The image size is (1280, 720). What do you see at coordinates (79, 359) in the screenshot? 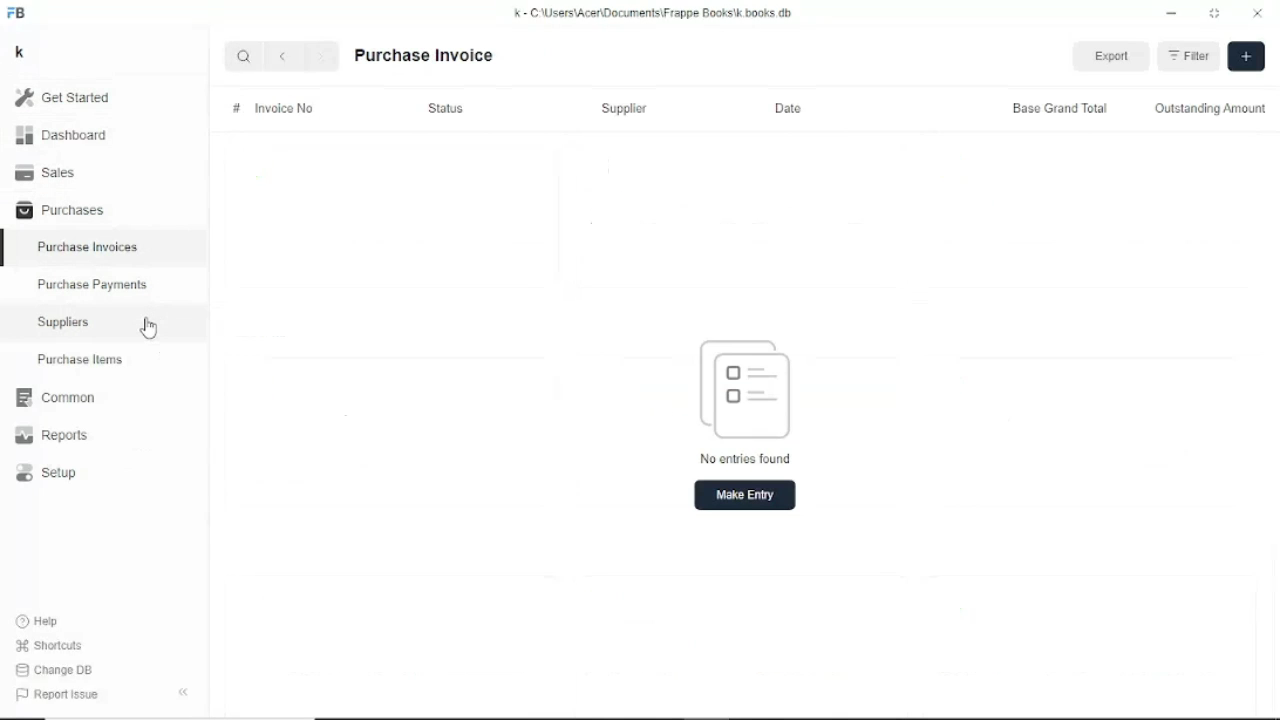
I see `Purchase items` at bounding box center [79, 359].